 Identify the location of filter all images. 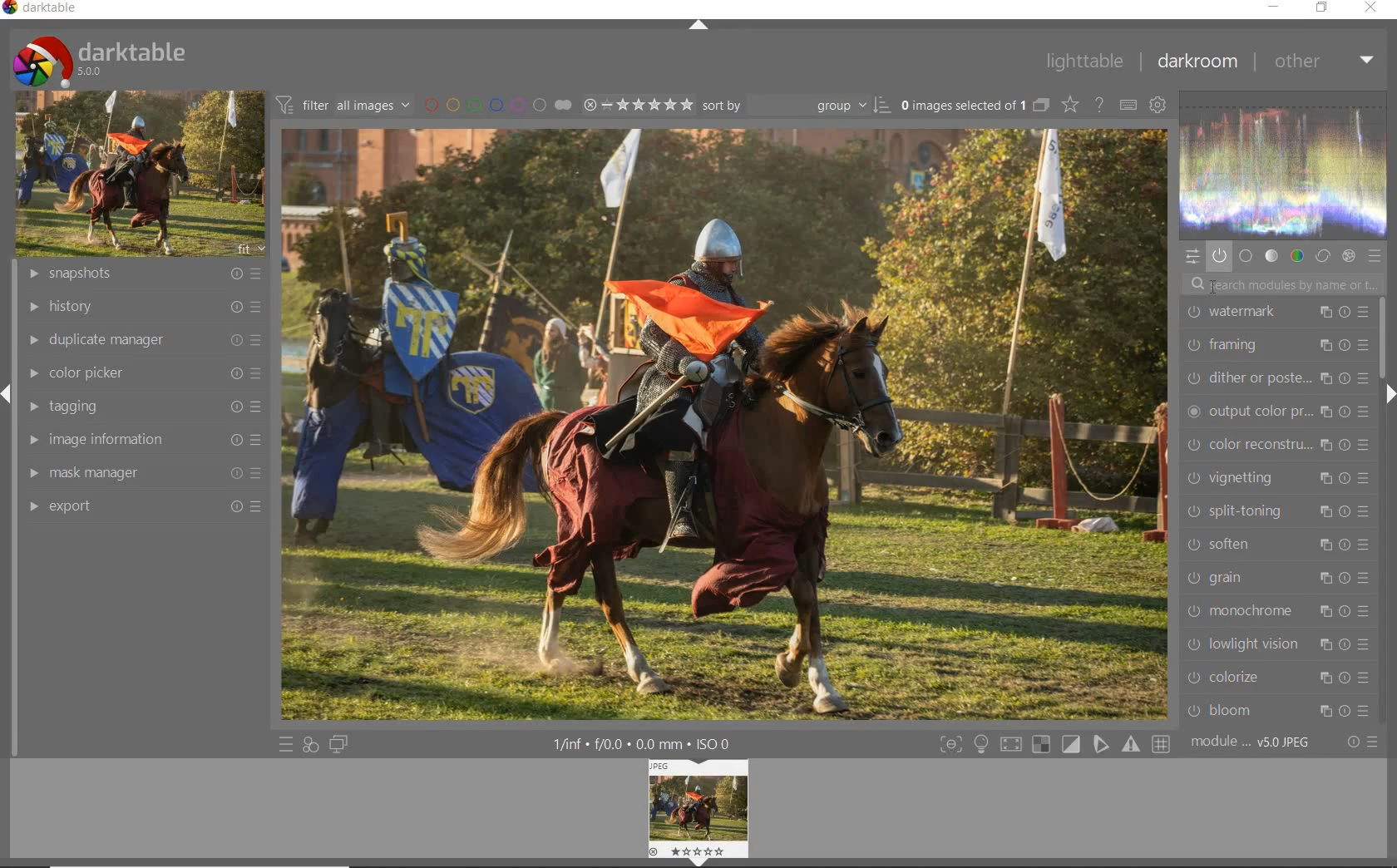
(344, 105).